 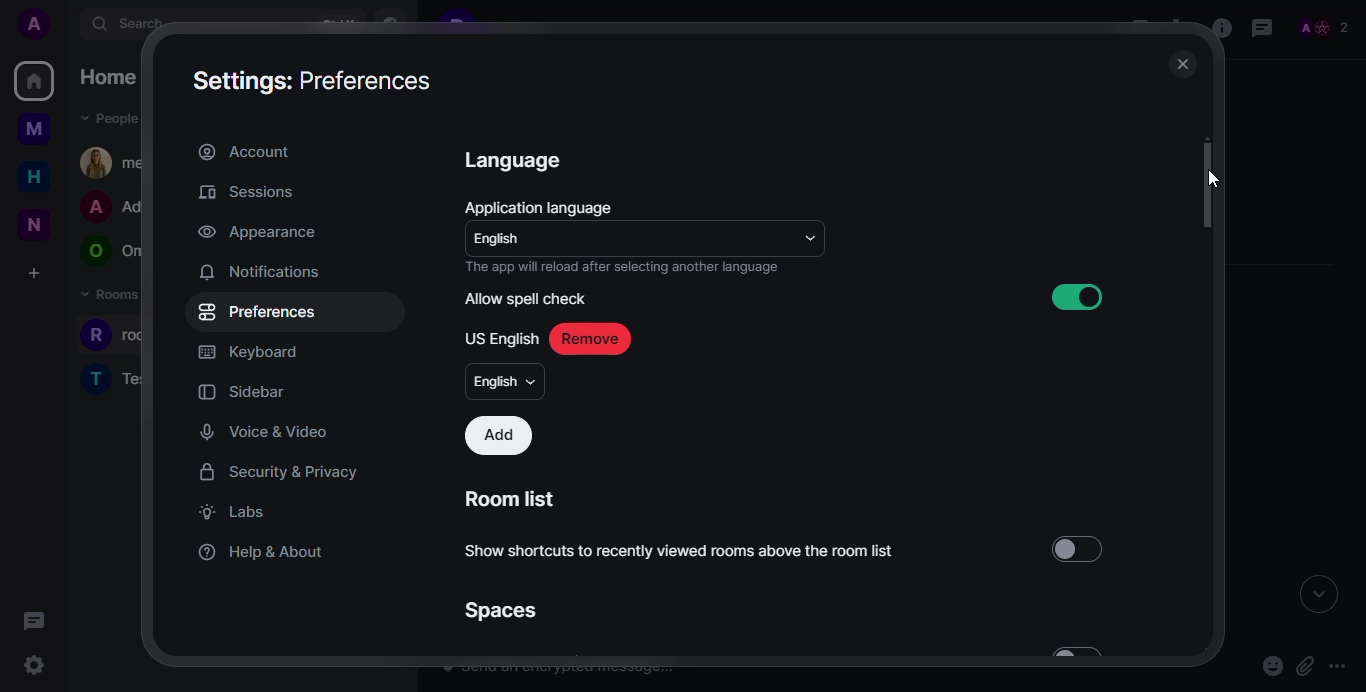 What do you see at coordinates (113, 119) in the screenshot?
I see `people dropdown` at bounding box center [113, 119].